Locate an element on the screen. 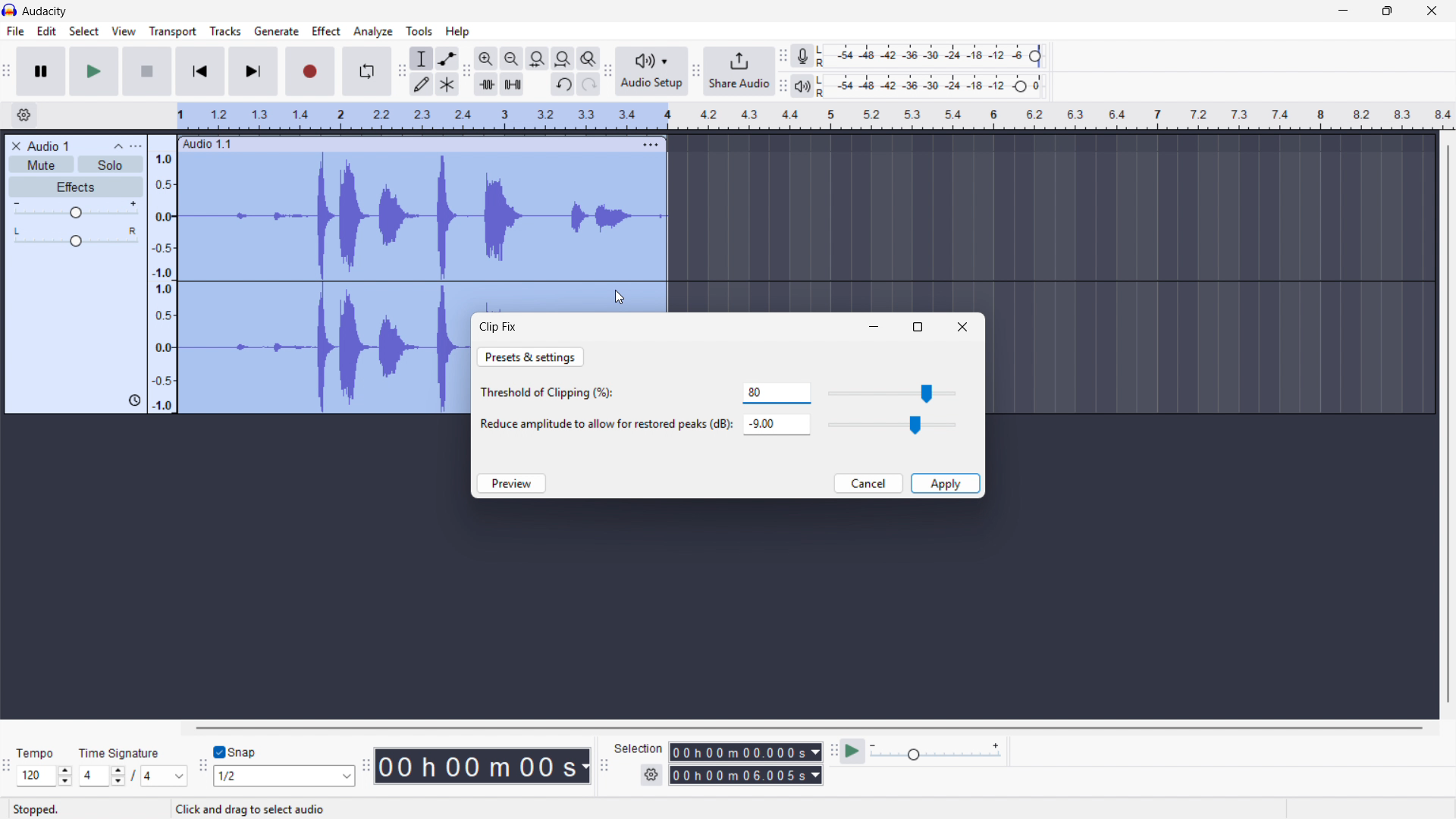 Image resolution: width=1456 pixels, height=819 pixels. undo is located at coordinates (563, 85).